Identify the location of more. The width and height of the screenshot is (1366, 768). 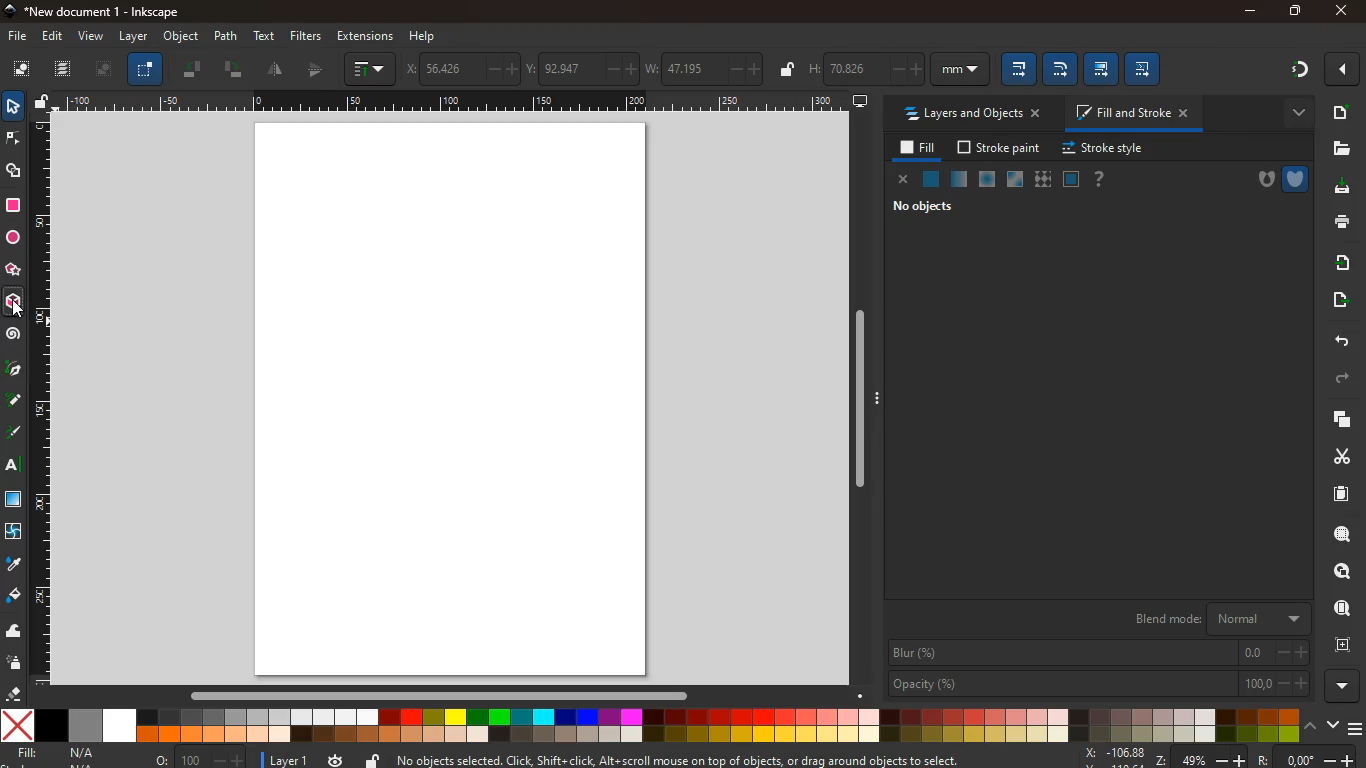
(1342, 69).